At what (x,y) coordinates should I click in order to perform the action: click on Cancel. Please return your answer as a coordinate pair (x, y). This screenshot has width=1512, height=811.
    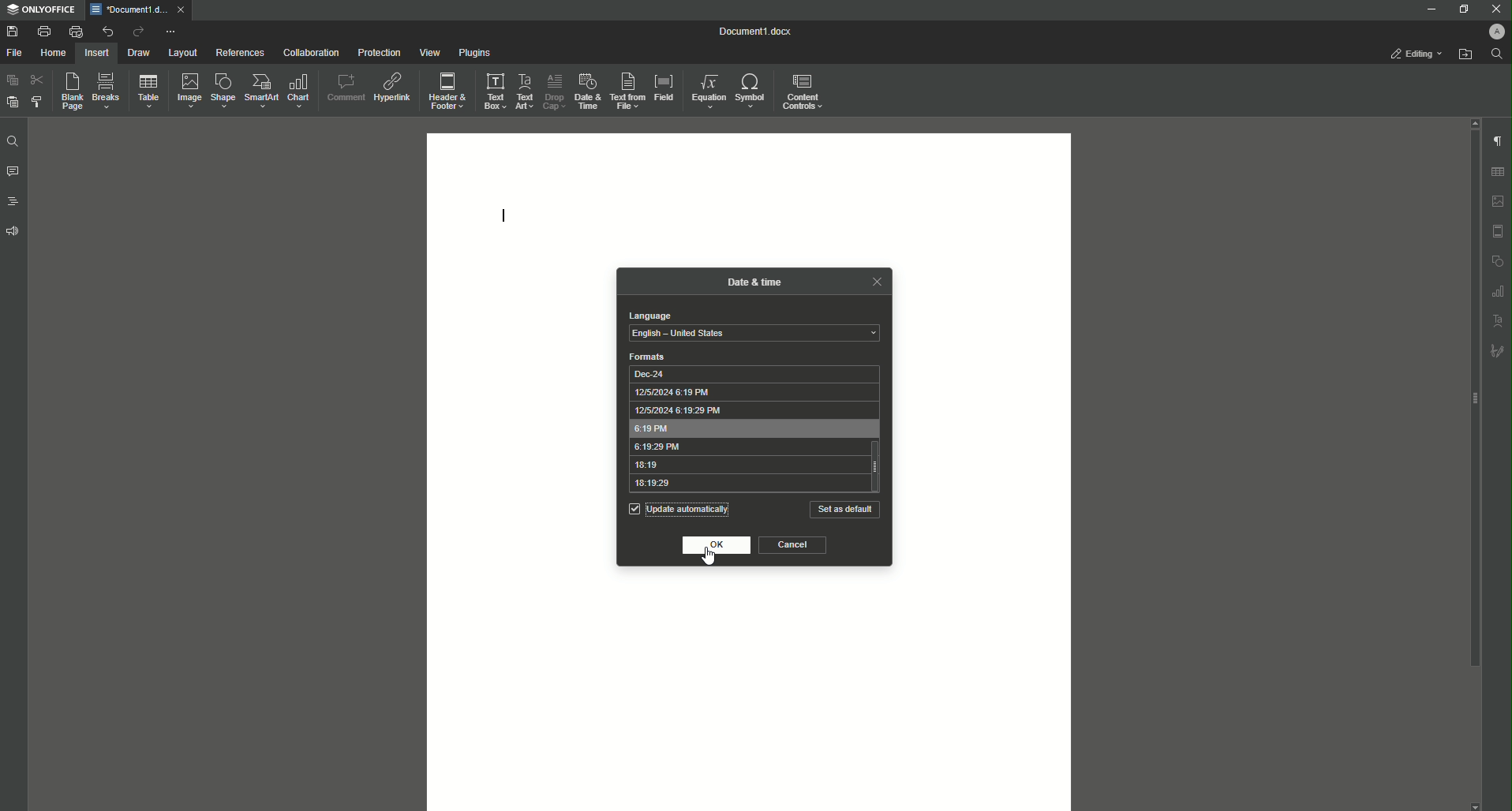
    Looking at the image, I should click on (793, 545).